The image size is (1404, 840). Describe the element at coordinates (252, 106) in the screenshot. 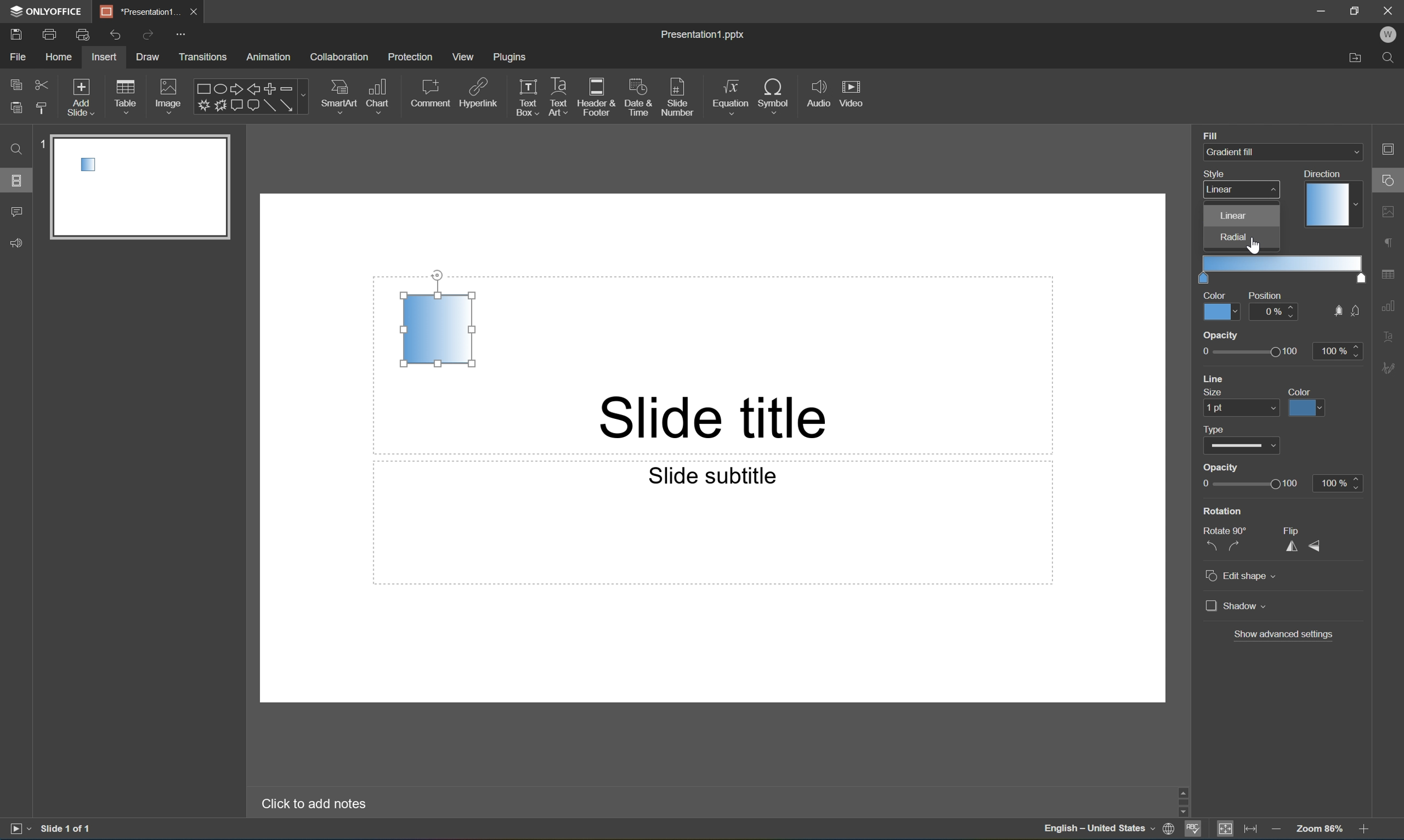

I see `` at that location.